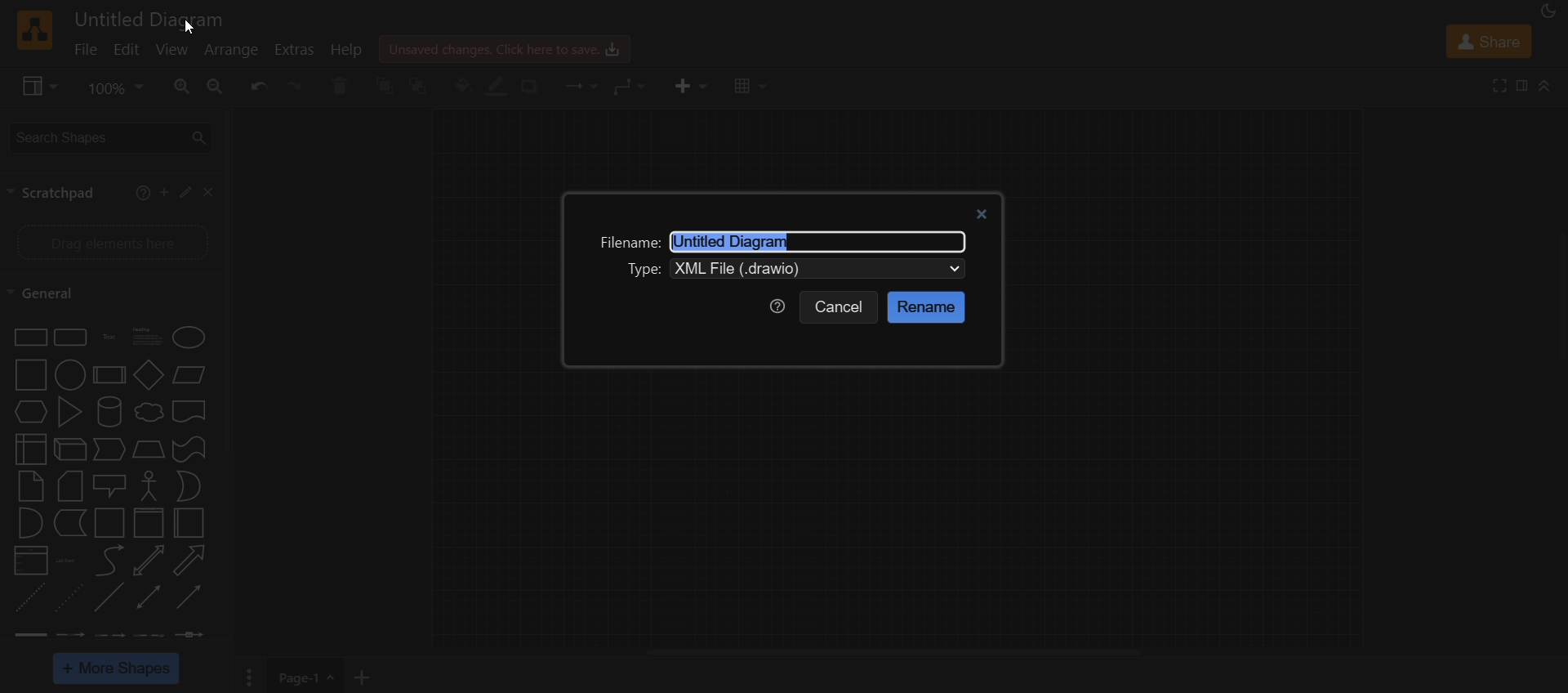 The height and width of the screenshot is (693, 1568). Describe the element at coordinates (181, 87) in the screenshot. I see `zoom in` at that location.